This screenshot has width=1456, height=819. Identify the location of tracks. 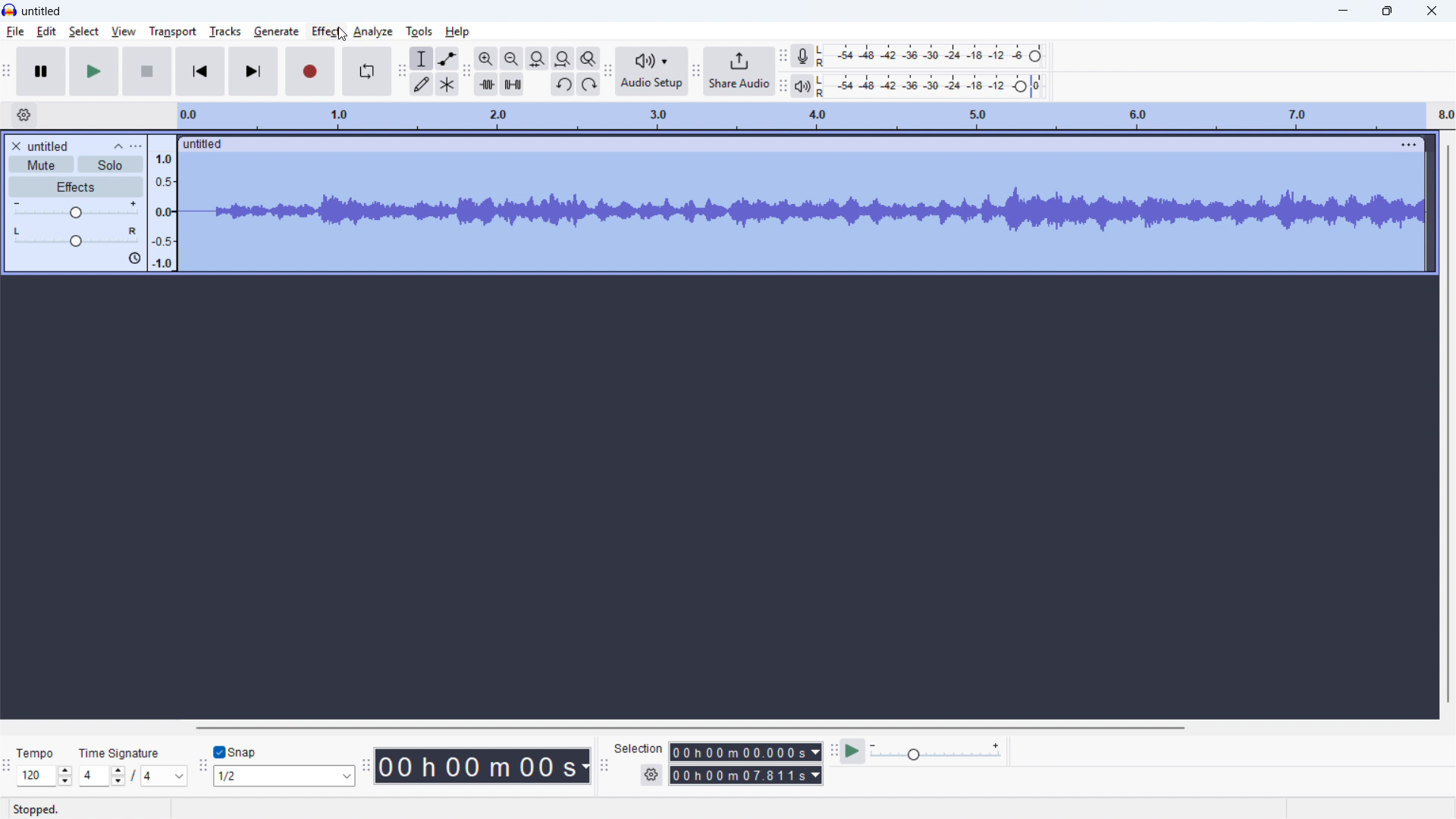
(224, 31).